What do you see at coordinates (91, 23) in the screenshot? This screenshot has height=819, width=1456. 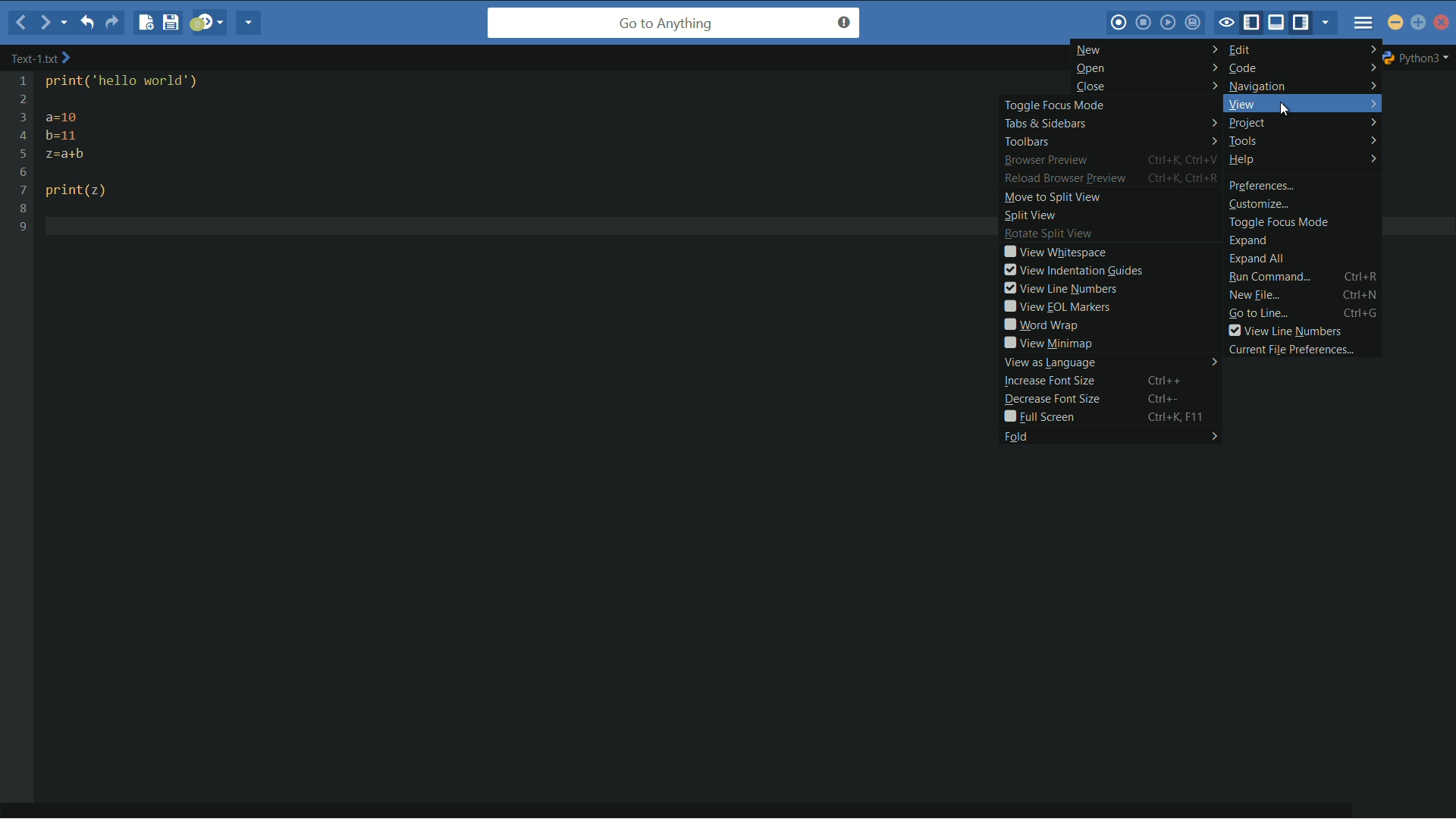 I see `undo` at bounding box center [91, 23].